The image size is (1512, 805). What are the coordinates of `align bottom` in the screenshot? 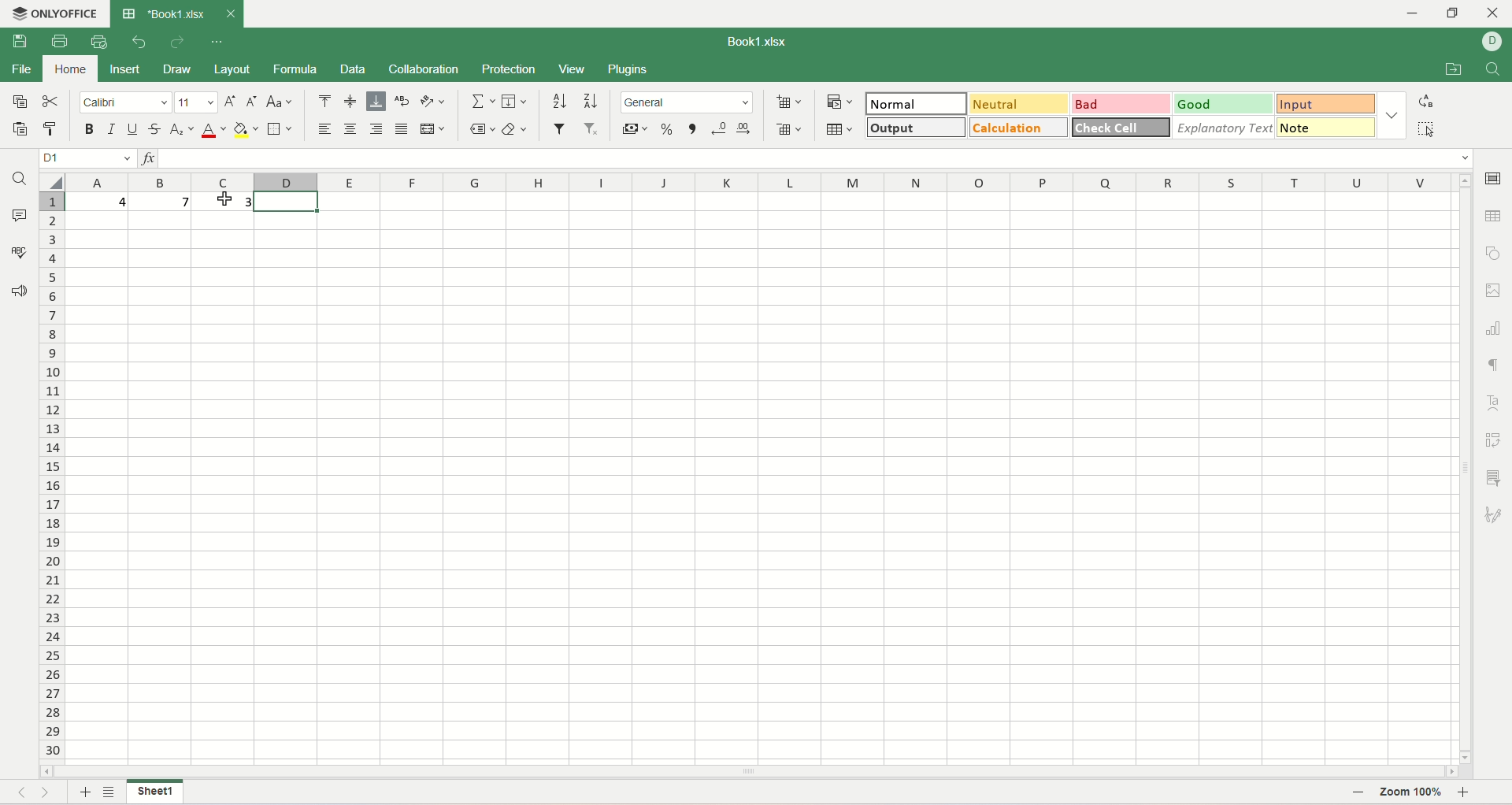 It's located at (376, 102).